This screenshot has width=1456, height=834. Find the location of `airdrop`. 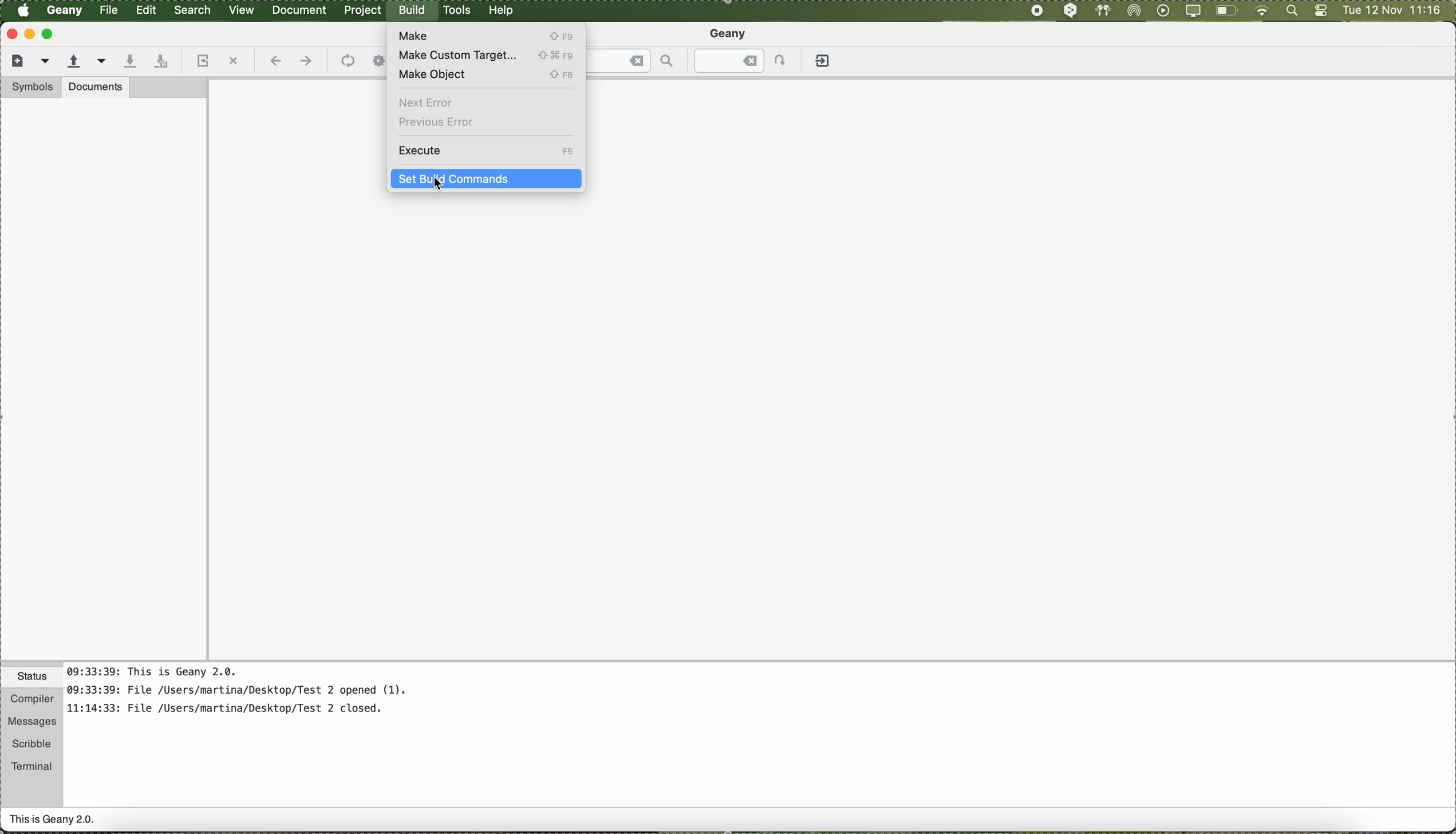

airdrop is located at coordinates (1134, 11).